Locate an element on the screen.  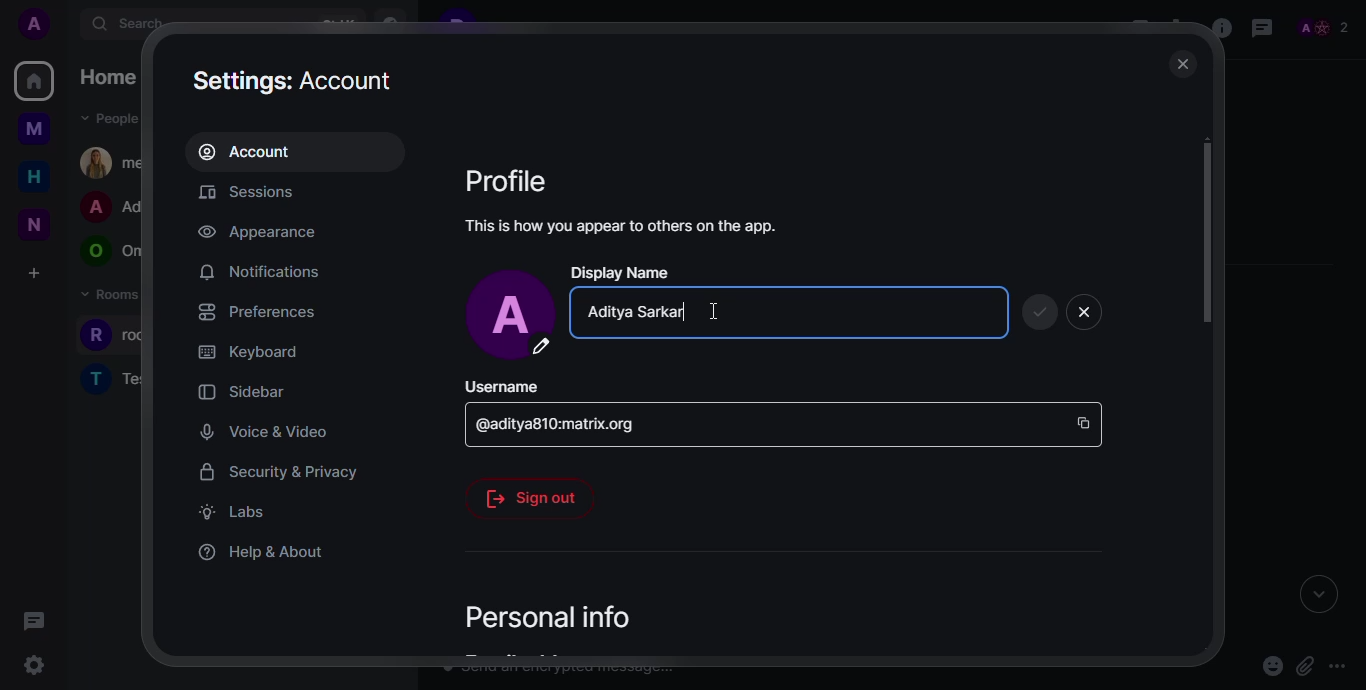
info is located at coordinates (624, 225).